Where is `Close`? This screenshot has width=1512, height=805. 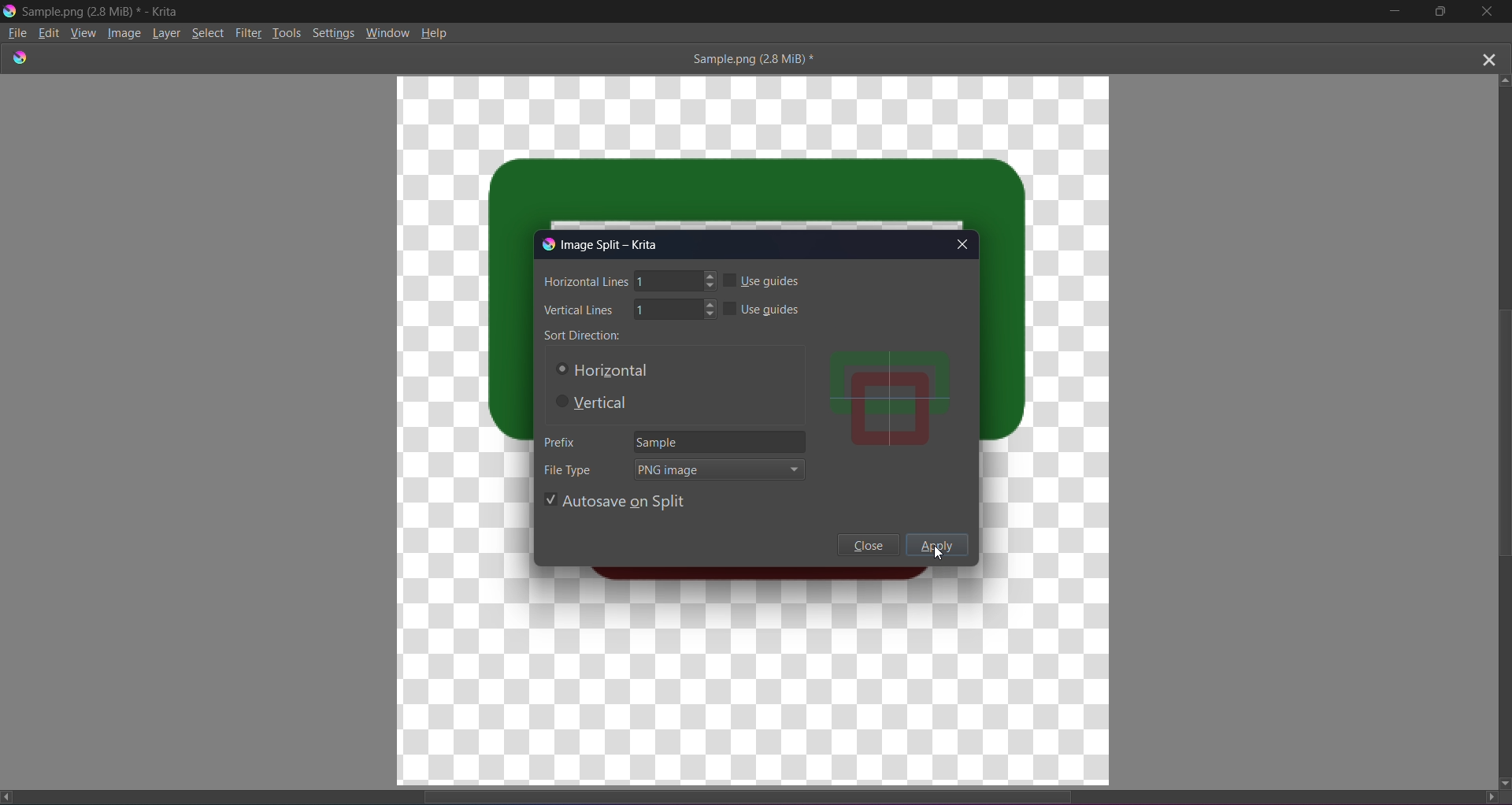
Close is located at coordinates (868, 545).